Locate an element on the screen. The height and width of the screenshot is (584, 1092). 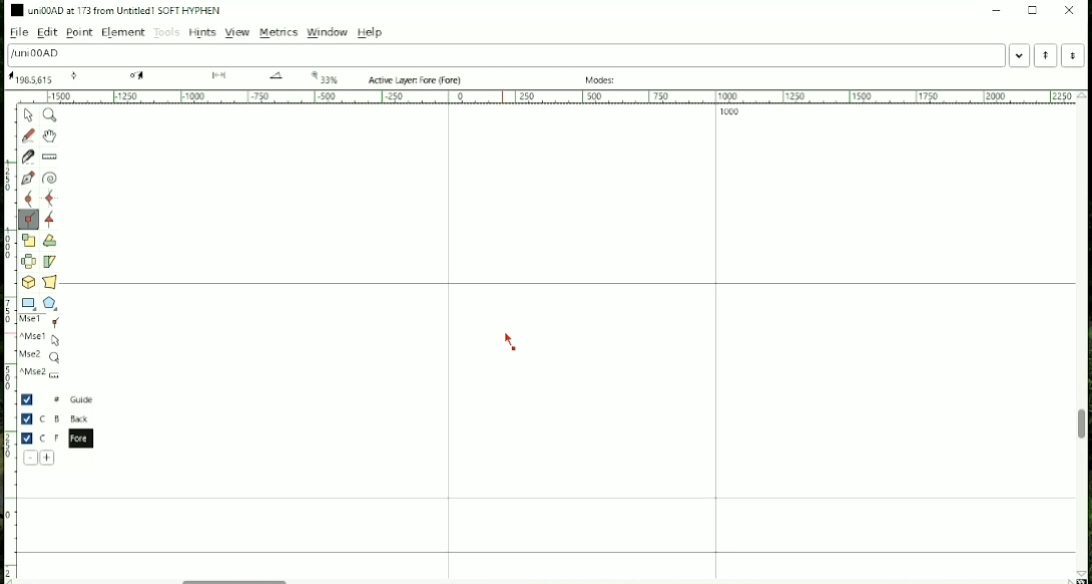
Close is located at coordinates (1070, 10).